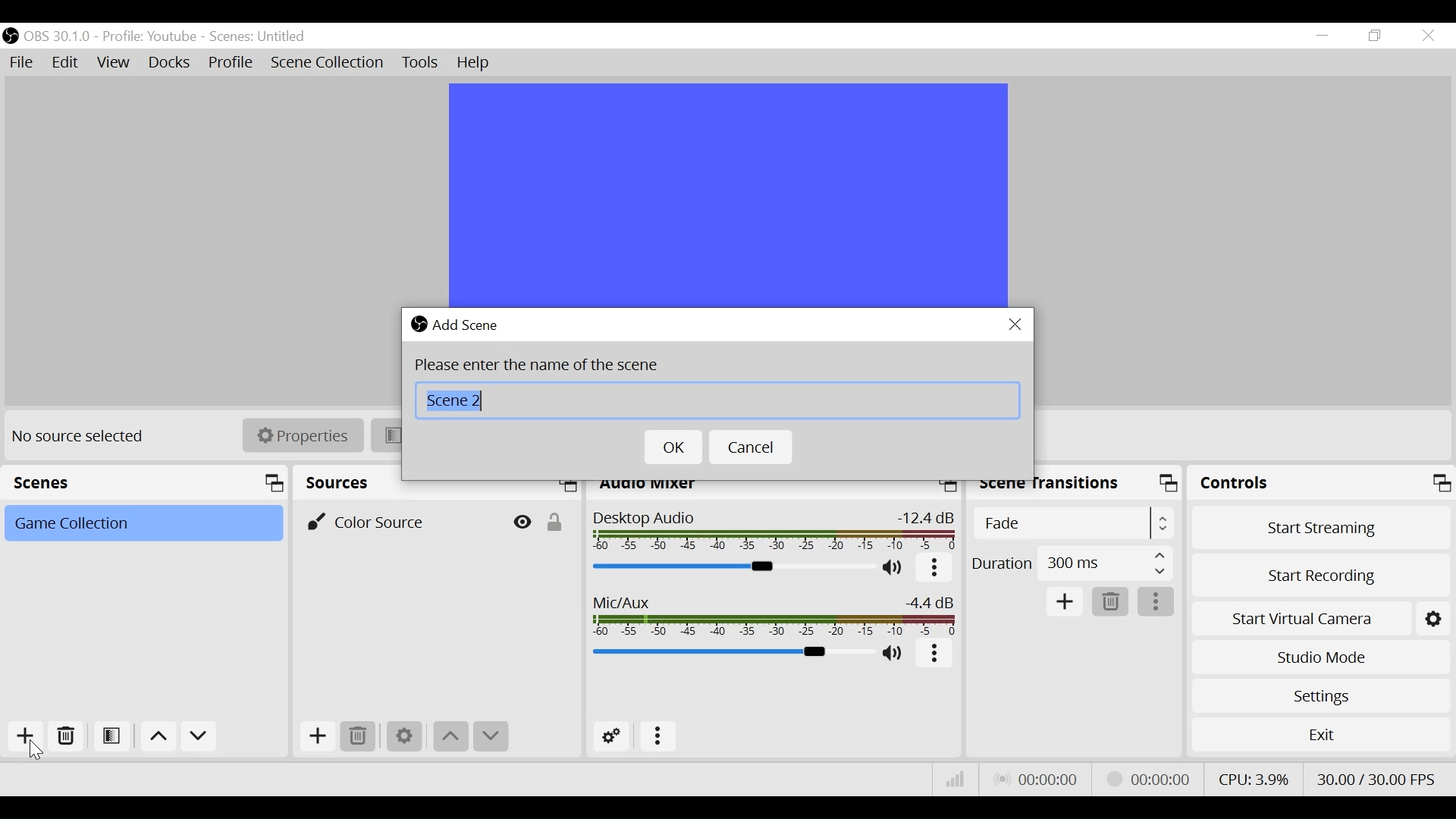  I want to click on minimize, so click(1322, 36).